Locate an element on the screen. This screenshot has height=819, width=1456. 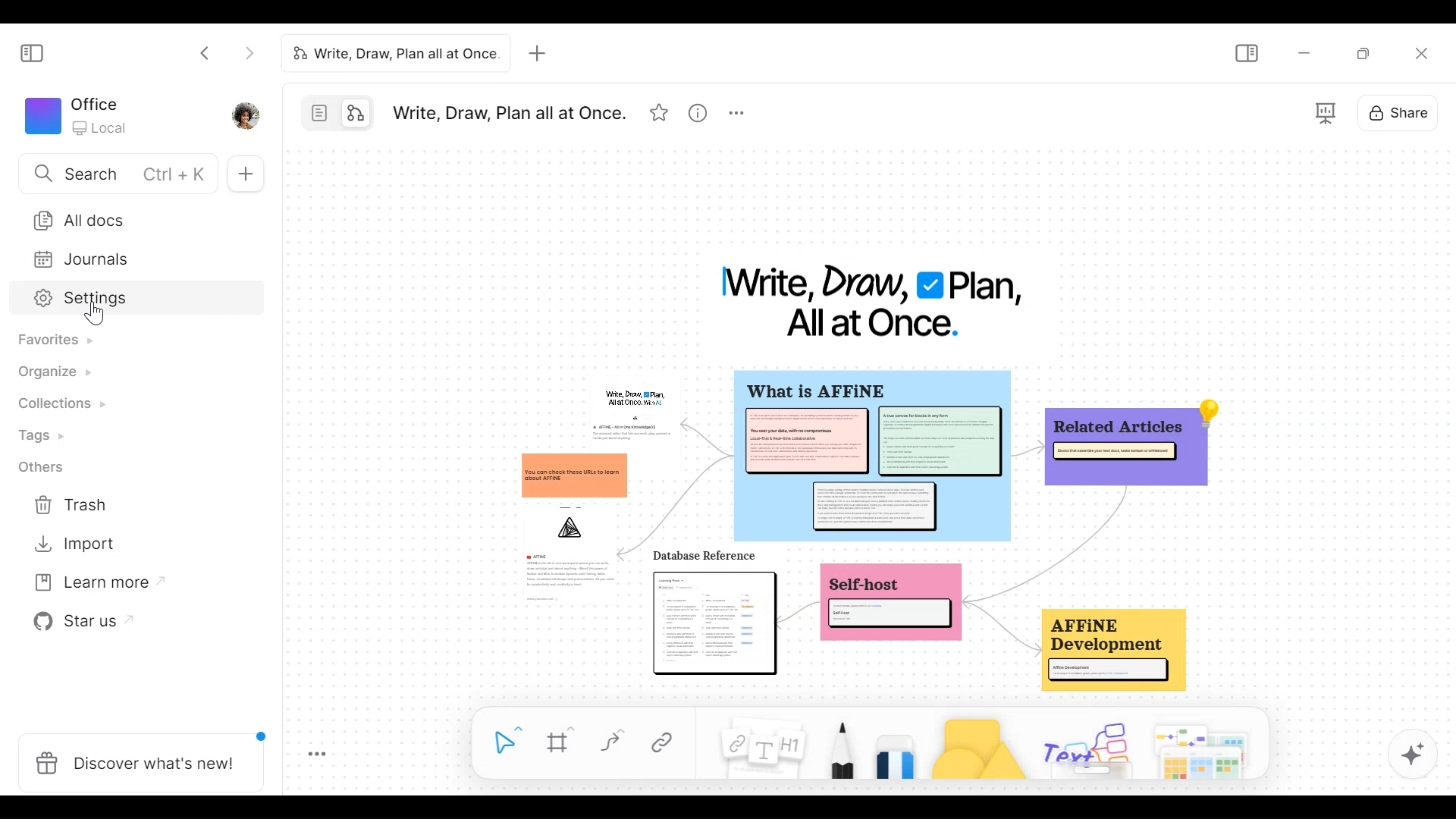
Settings is located at coordinates (74, 300).